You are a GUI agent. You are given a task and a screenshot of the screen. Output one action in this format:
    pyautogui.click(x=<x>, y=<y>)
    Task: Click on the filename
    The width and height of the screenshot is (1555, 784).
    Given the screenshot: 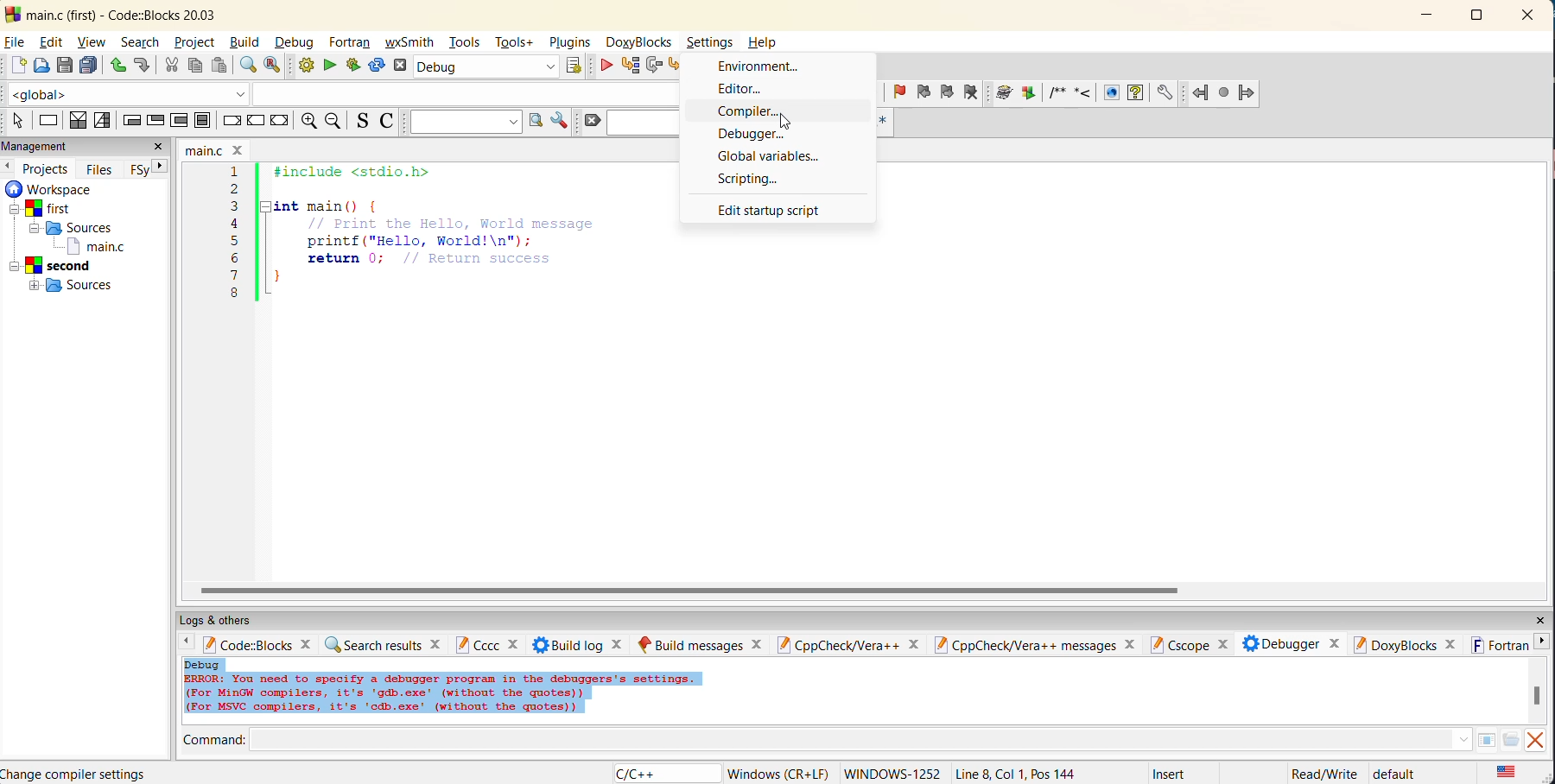 What is the action you would take?
    pyautogui.click(x=213, y=149)
    